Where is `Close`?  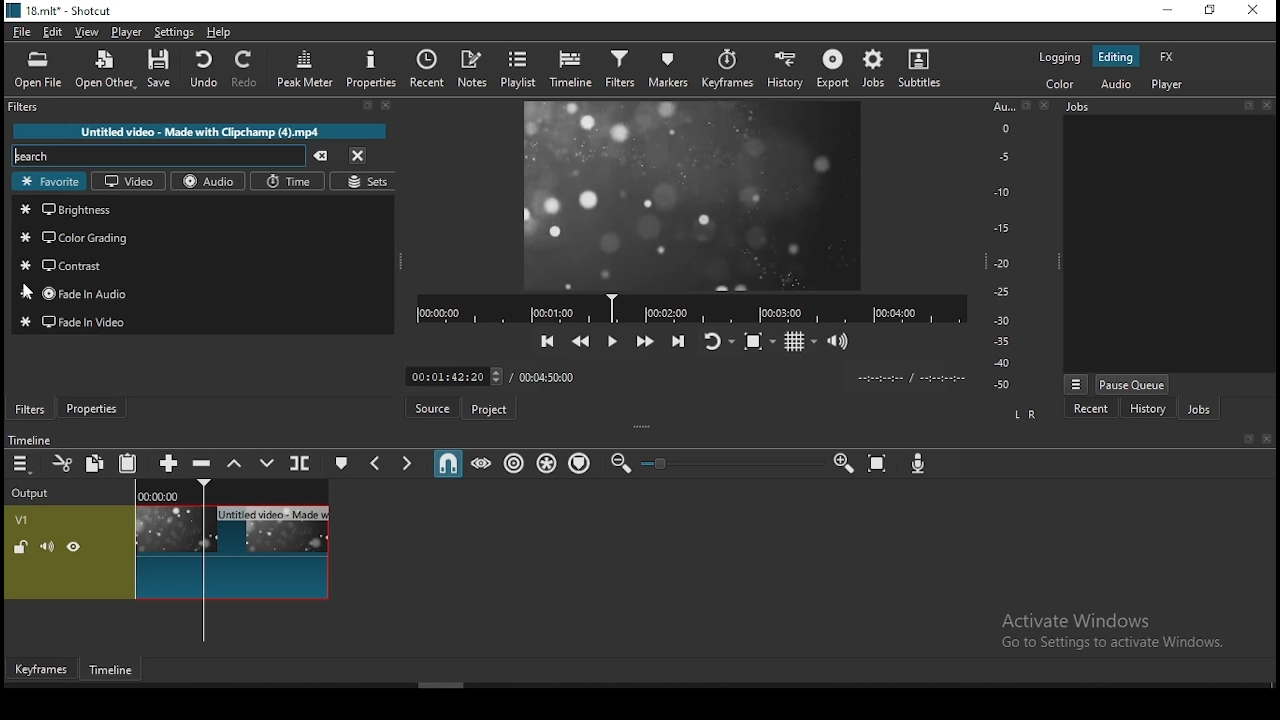 Close is located at coordinates (387, 105).